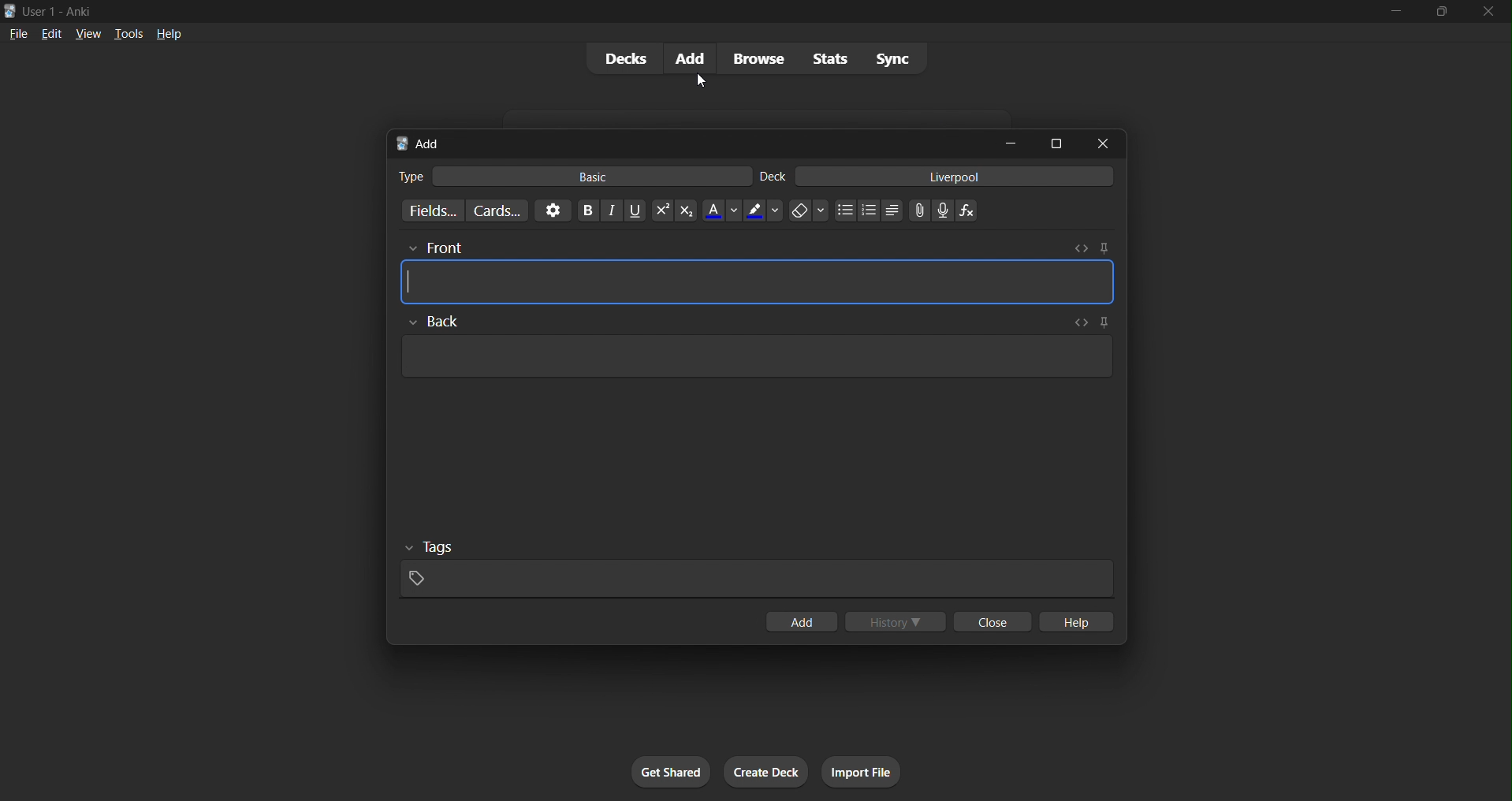 The height and width of the screenshot is (801, 1512). Describe the element at coordinates (1098, 142) in the screenshot. I see `close` at that location.